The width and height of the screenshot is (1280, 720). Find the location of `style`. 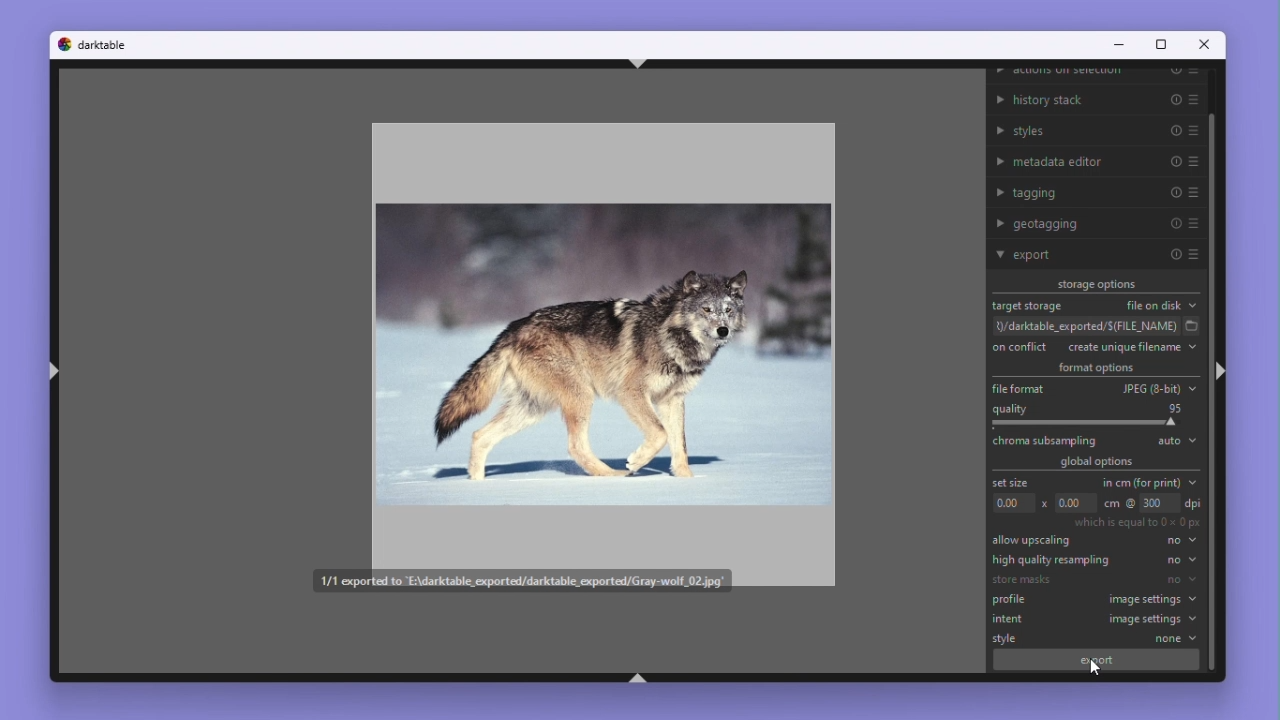

style is located at coordinates (1003, 638).